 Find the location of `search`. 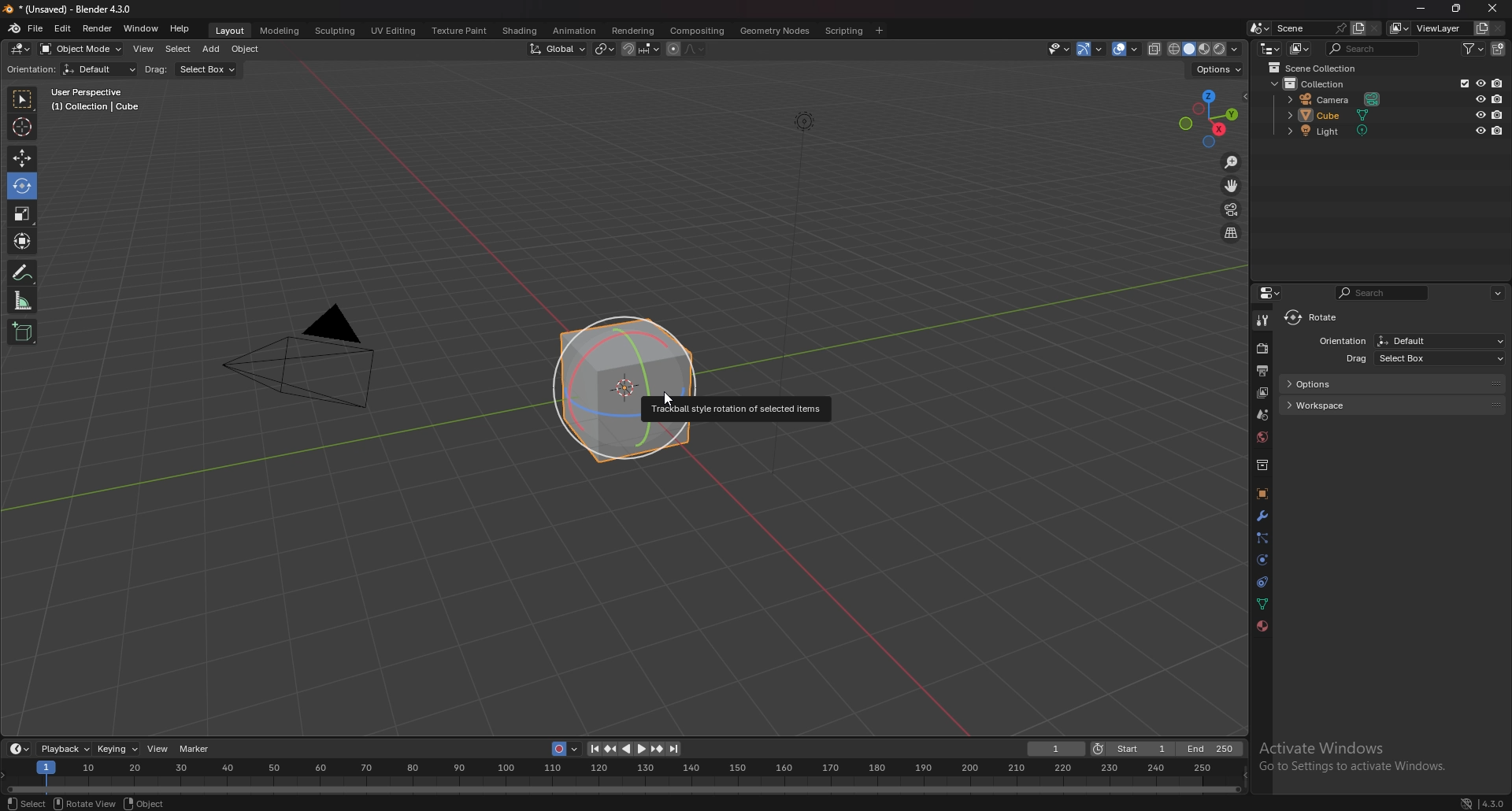

search is located at coordinates (1383, 292).